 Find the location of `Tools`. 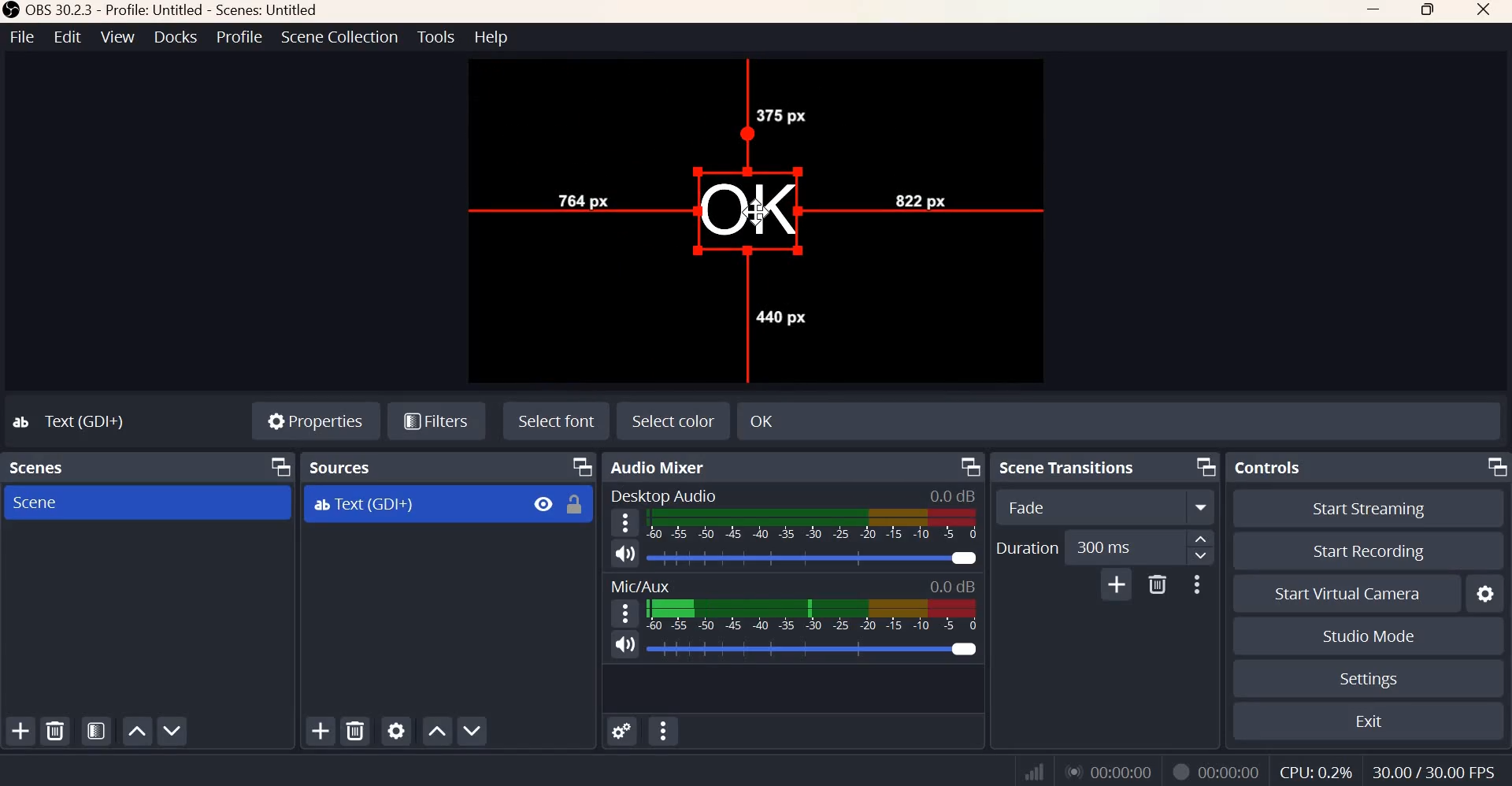

Tools is located at coordinates (437, 36).